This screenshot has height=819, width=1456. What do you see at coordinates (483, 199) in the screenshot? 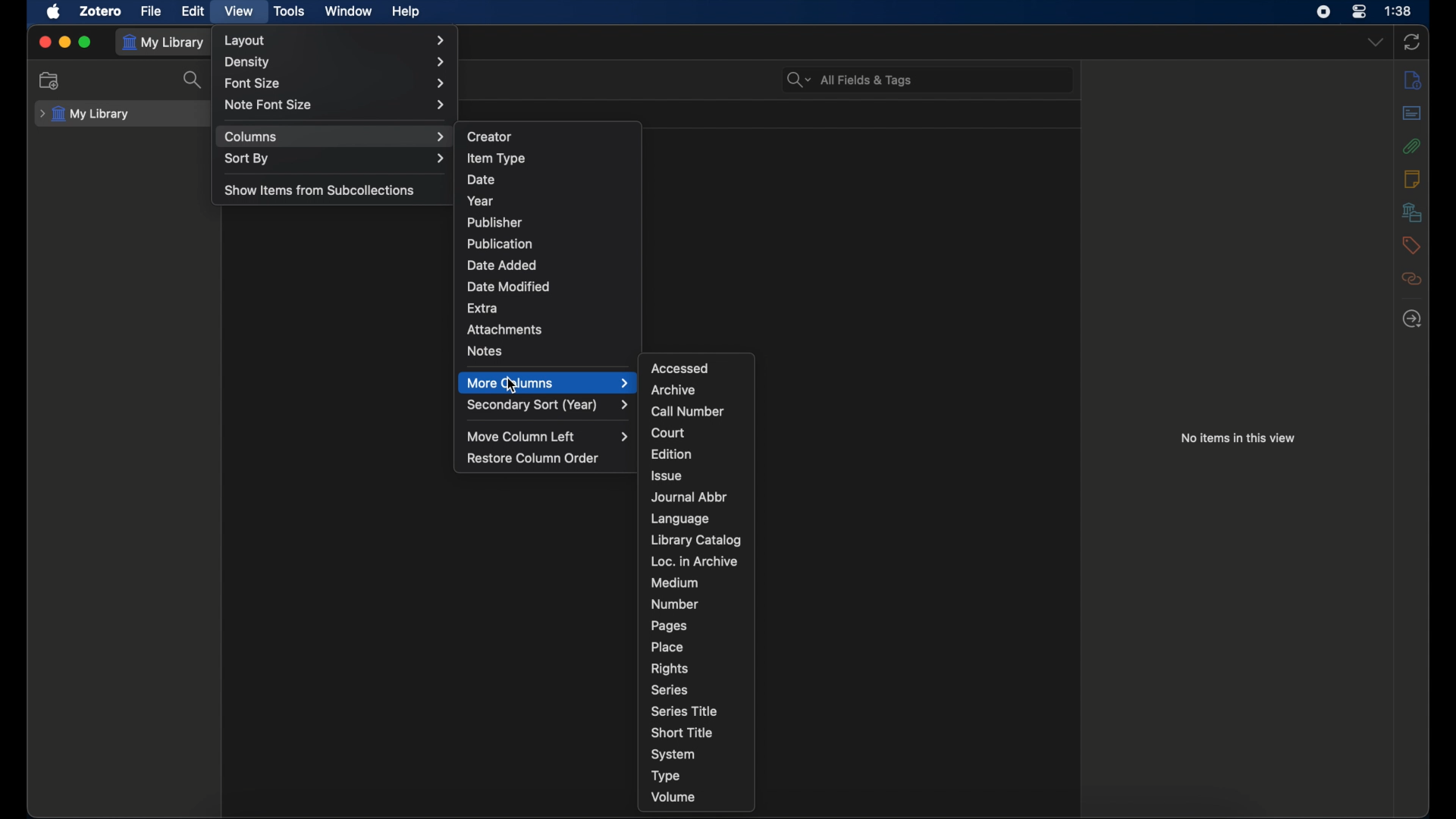
I see `year` at bounding box center [483, 199].